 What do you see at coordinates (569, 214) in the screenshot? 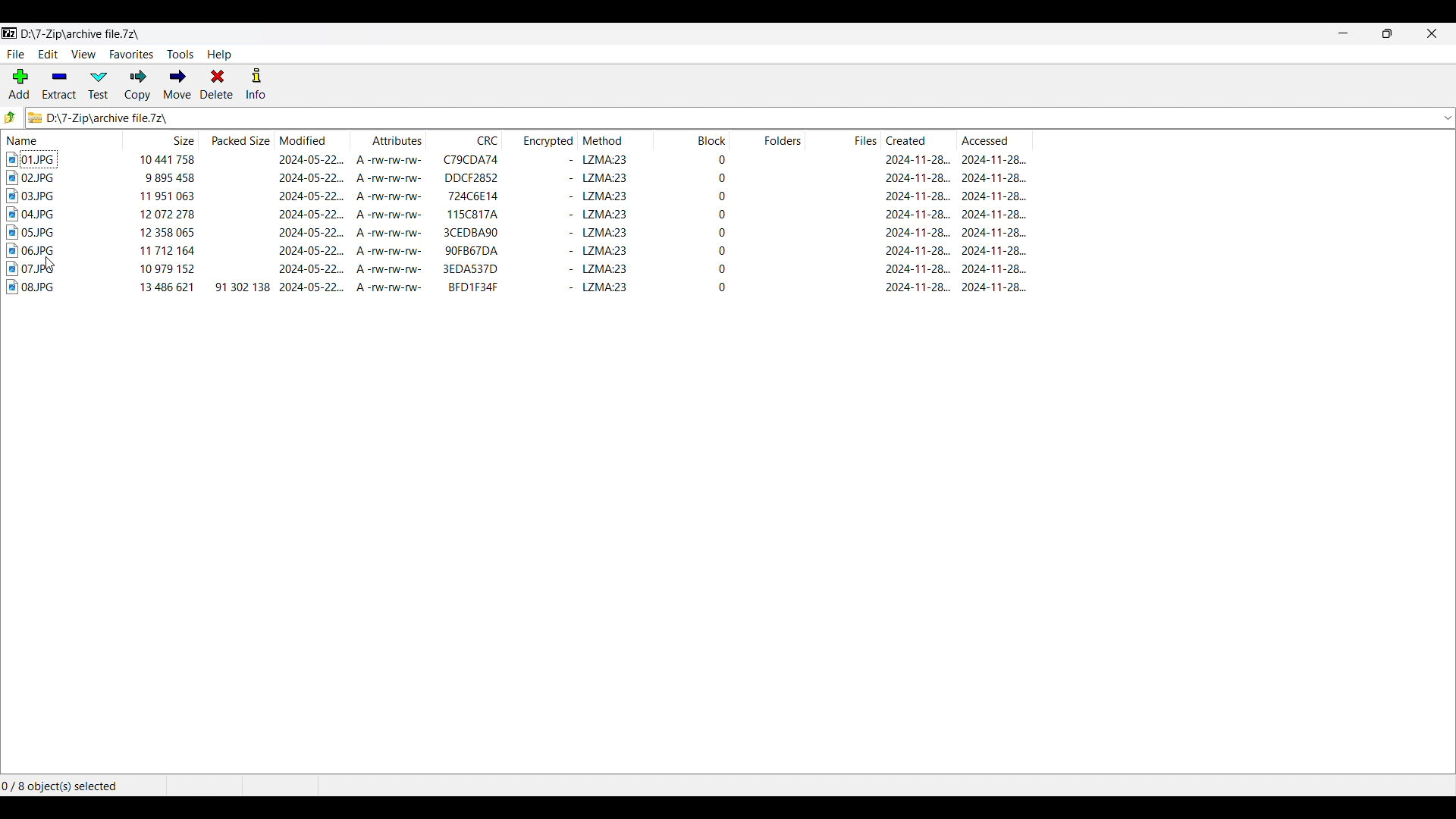
I see `encrypted status` at bounding box center [569, 214].